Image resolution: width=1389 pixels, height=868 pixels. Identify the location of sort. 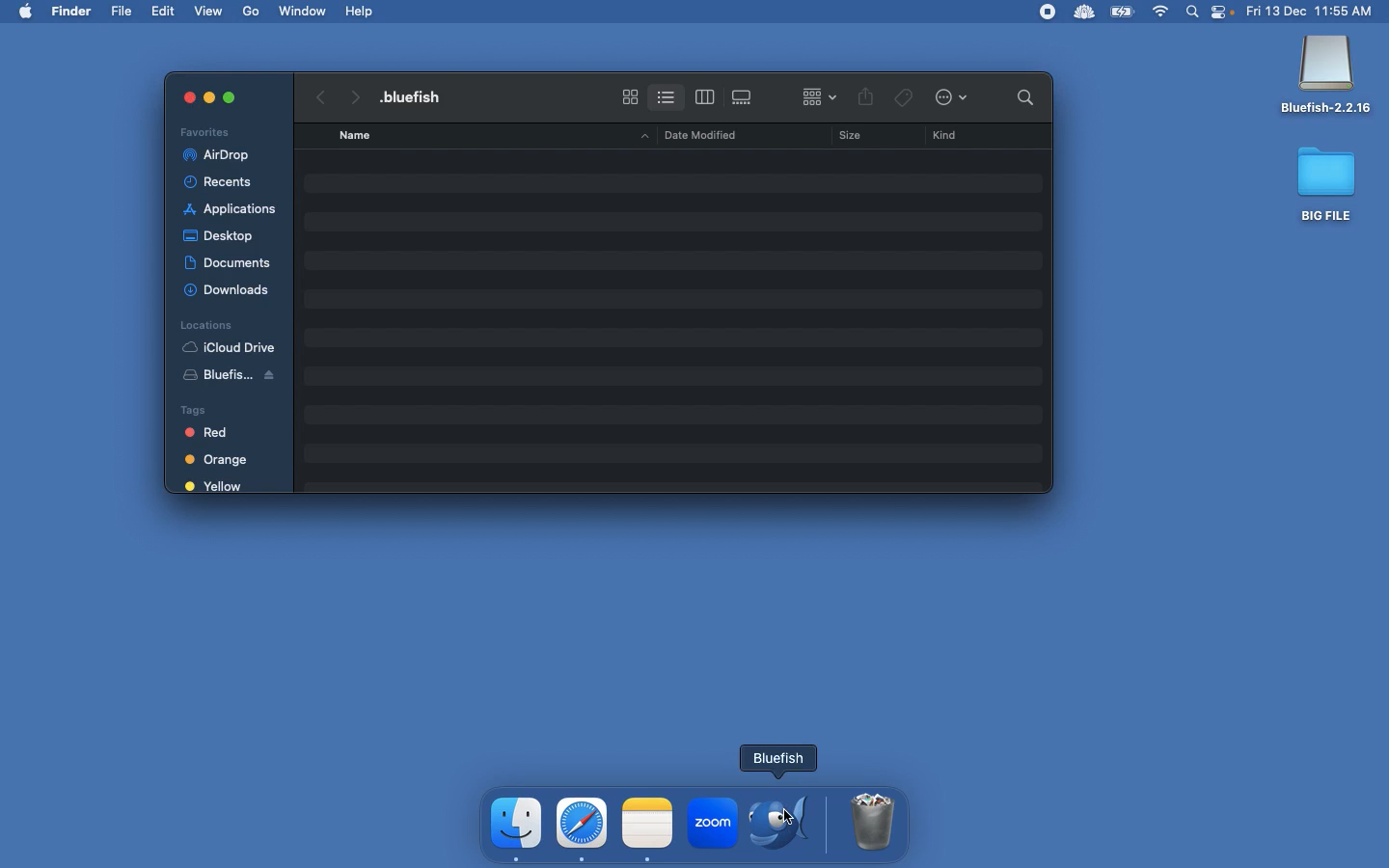
(819, 95).